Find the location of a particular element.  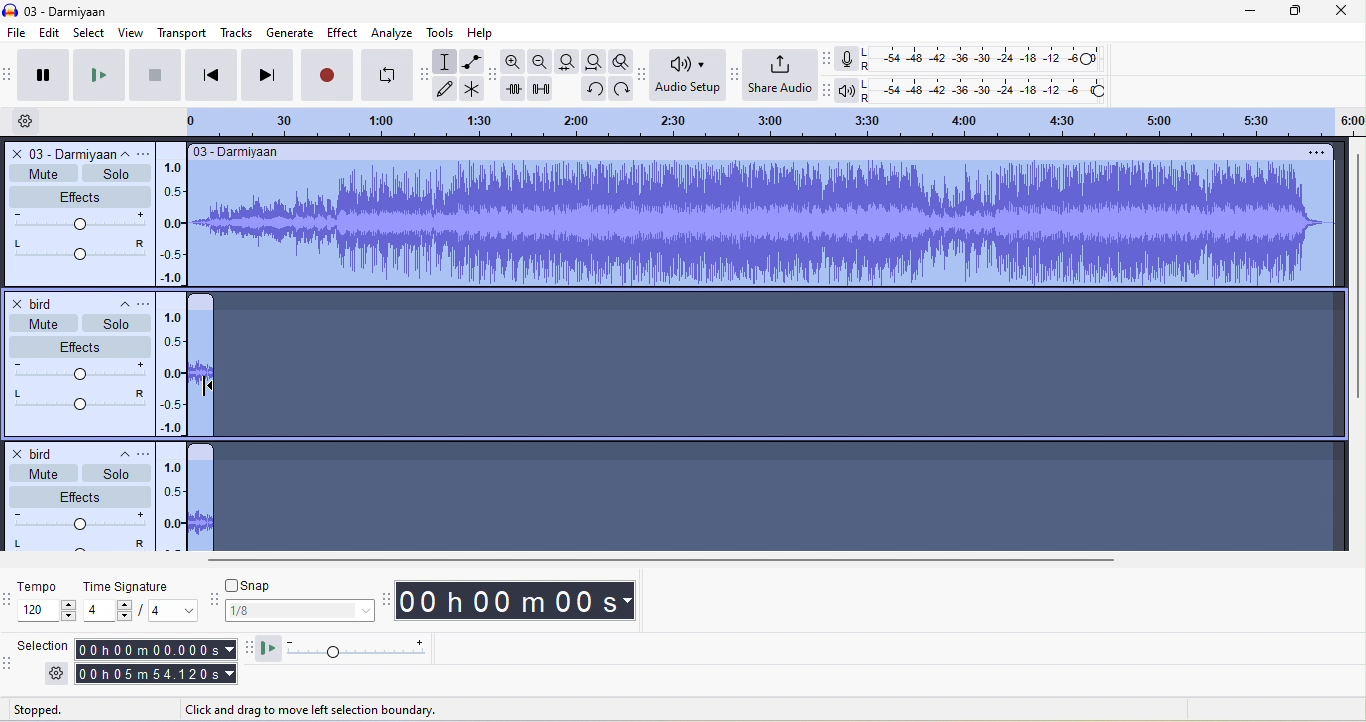

generate is located at coordinates (289, 31).